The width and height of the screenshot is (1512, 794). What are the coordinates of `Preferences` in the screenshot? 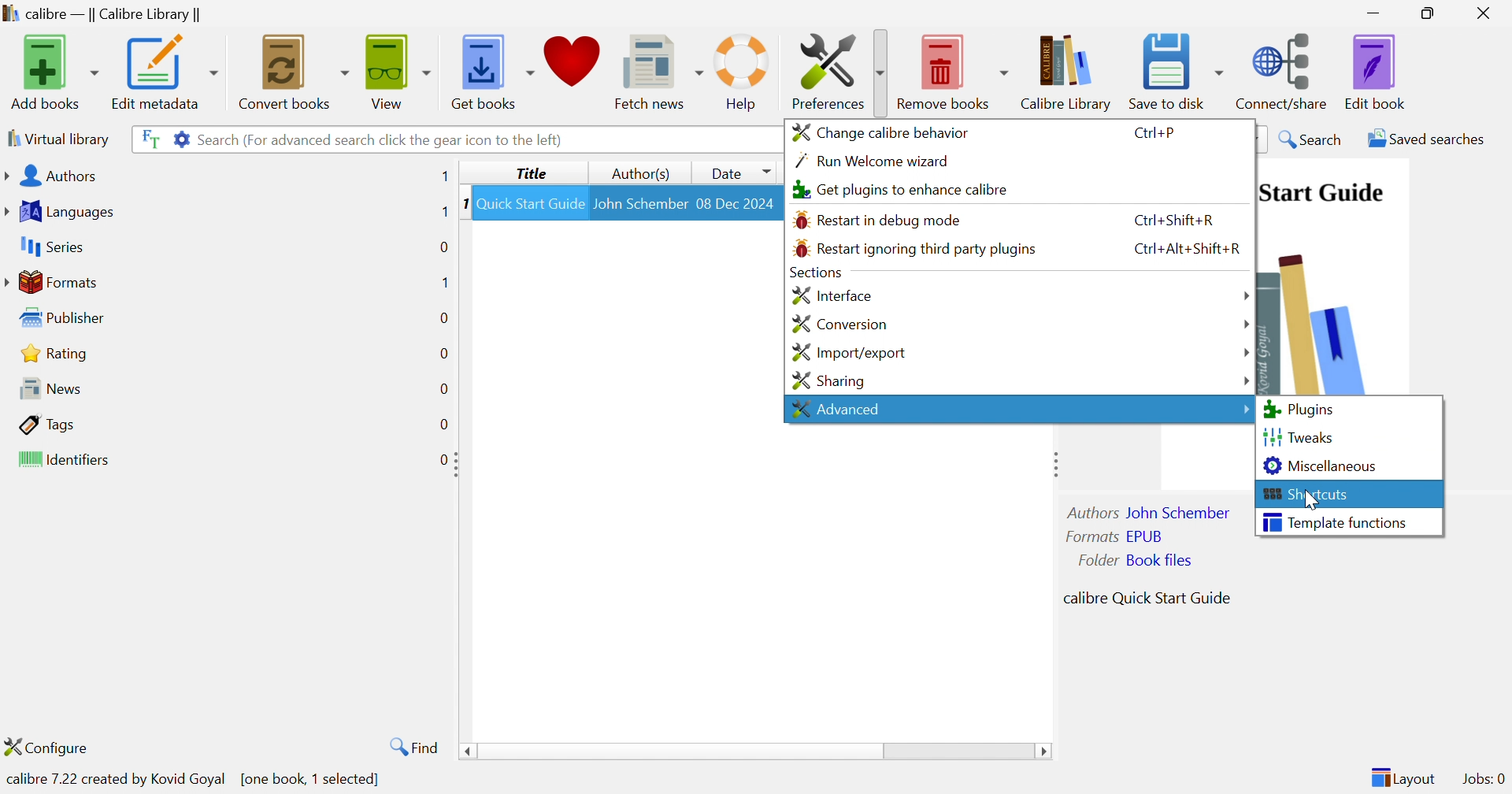 It's located at (834, 70).